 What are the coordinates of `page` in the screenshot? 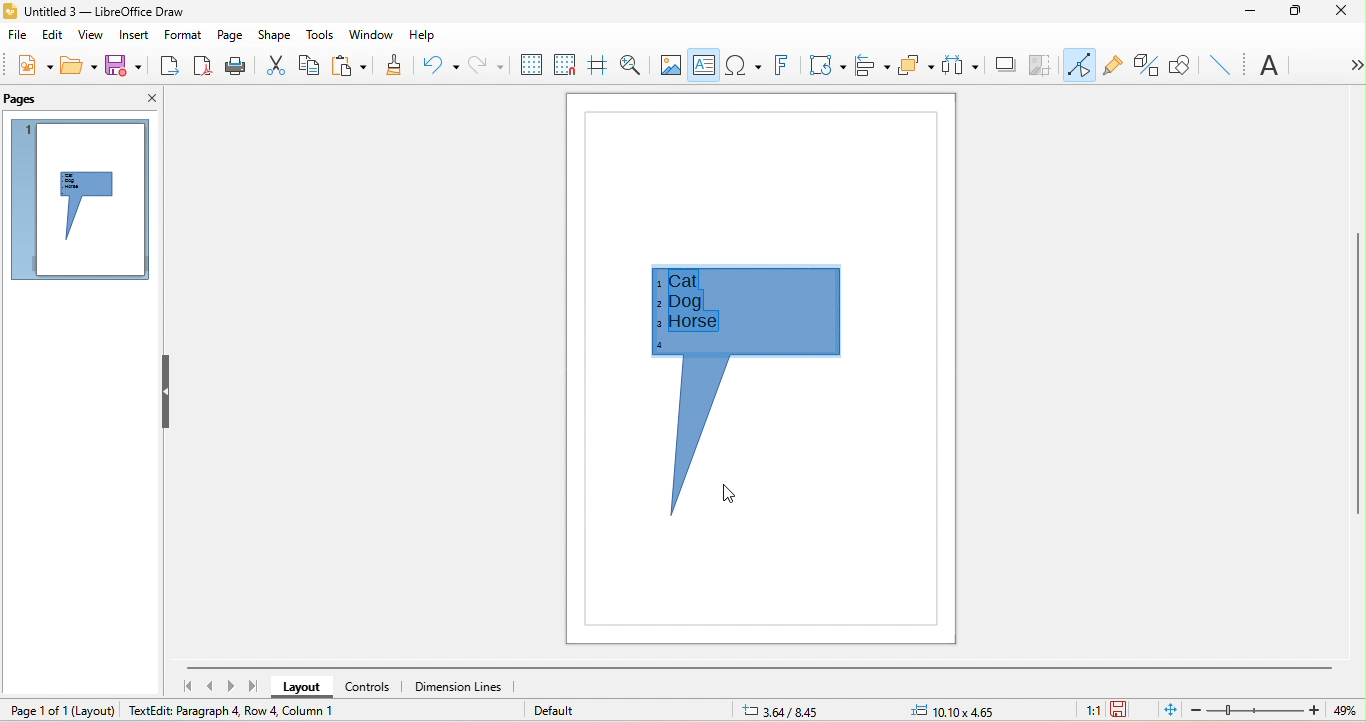 It's located at (230, 32).